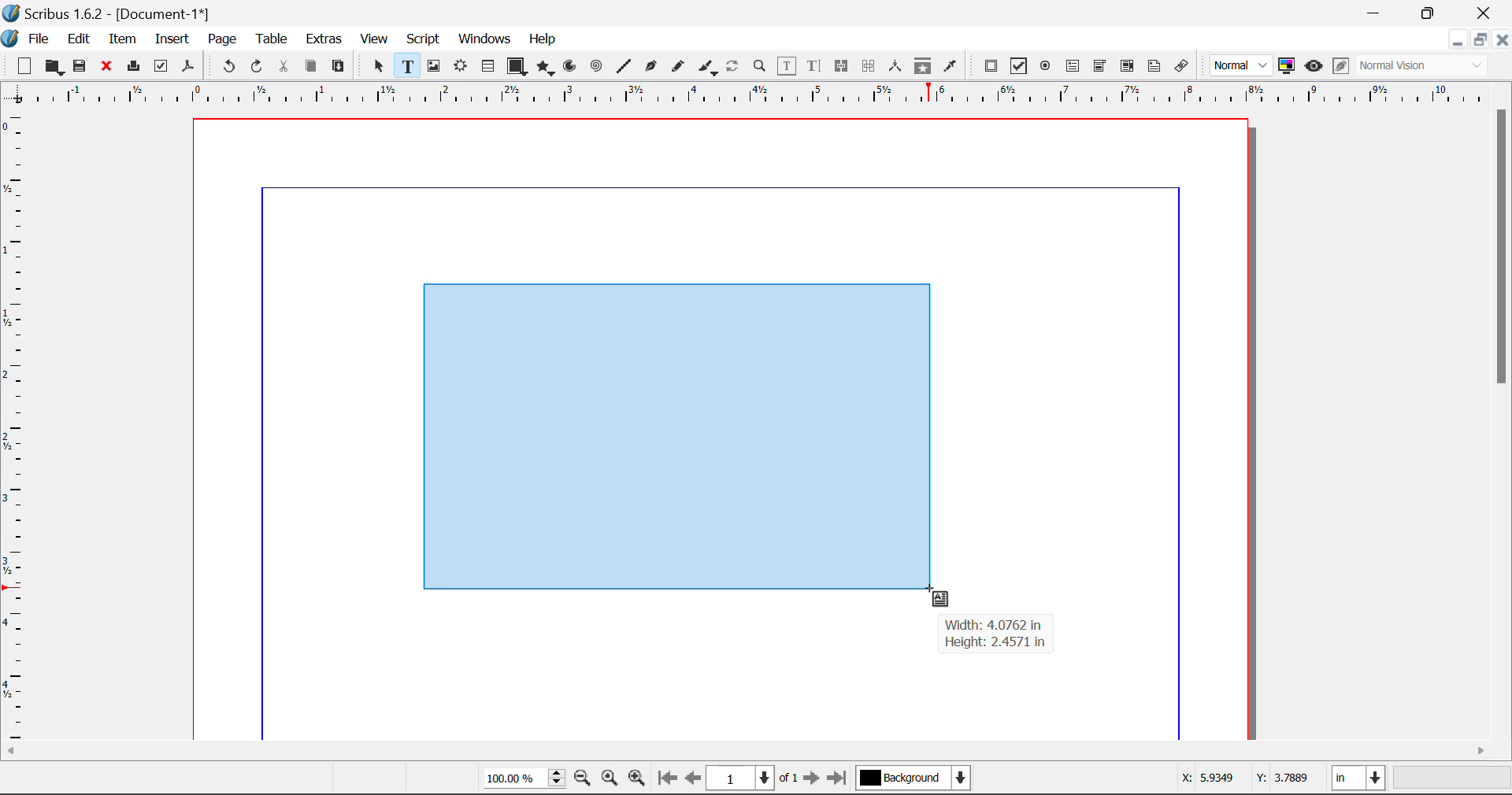 This screenshot has width=1512, height=795. What do you see at coordinates (1100, 65) in the screenshot?
I see `Pdf Combo Box` at bounding box center [1100, 65].